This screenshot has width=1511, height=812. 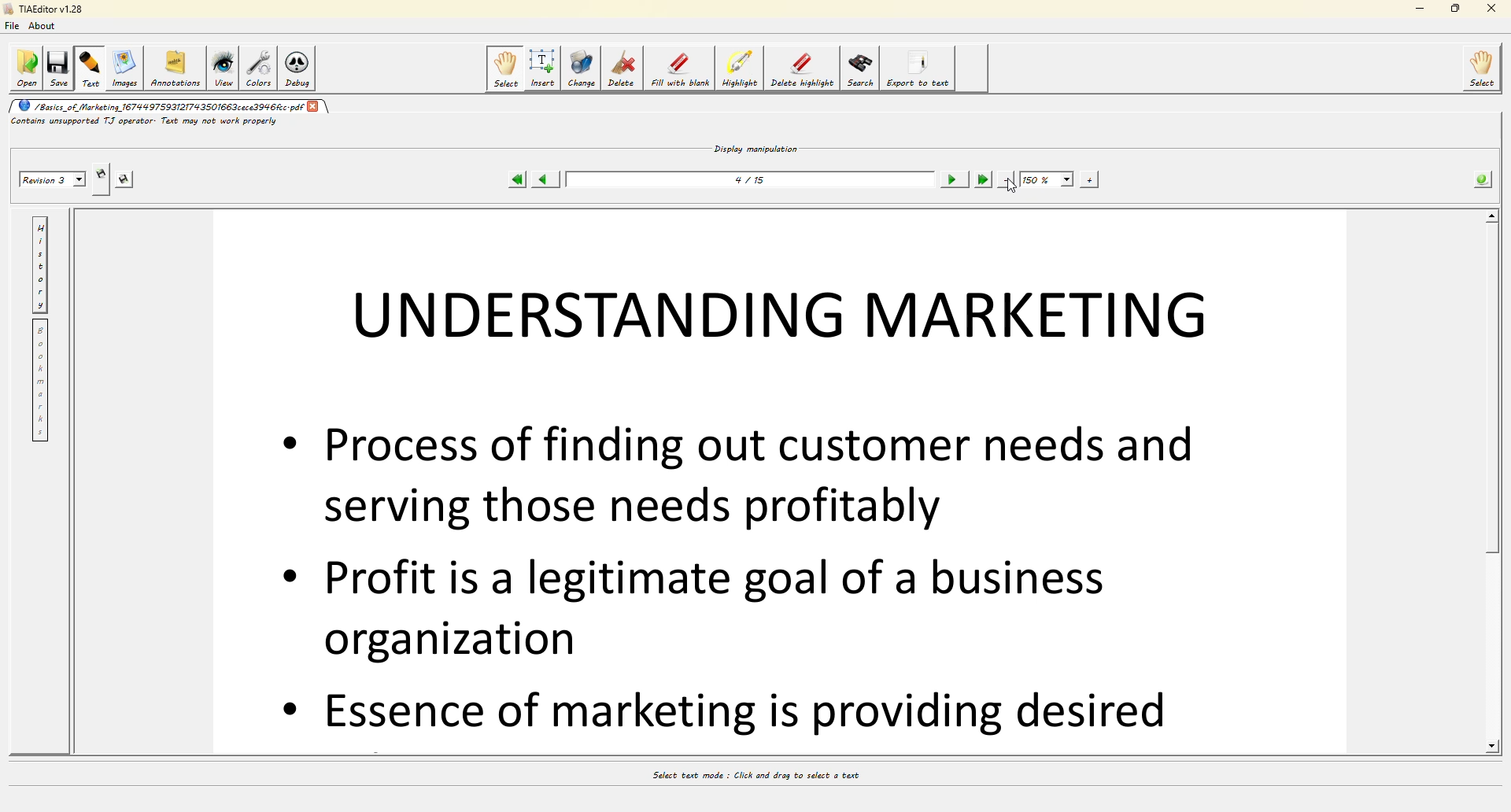 I want to click on next page, so click(x=954, y=179).